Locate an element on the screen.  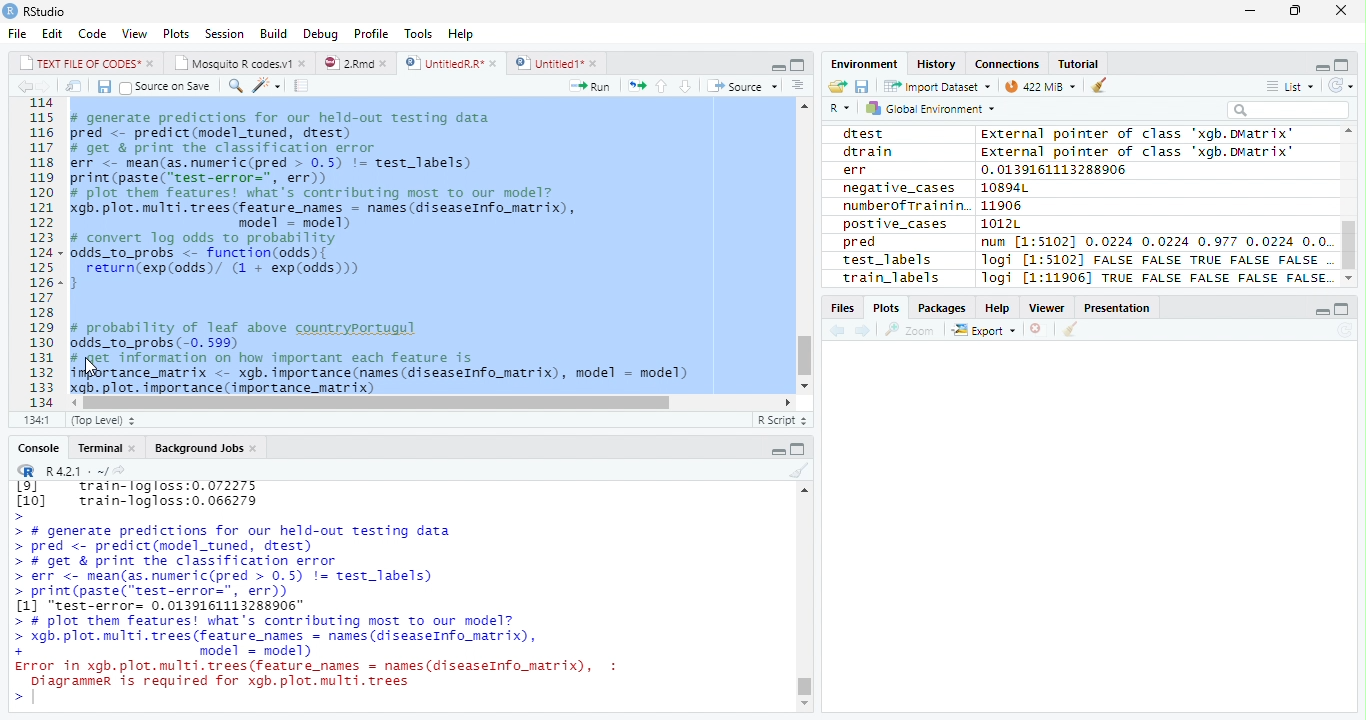
Minimize is located at coordinates (1249, 11).